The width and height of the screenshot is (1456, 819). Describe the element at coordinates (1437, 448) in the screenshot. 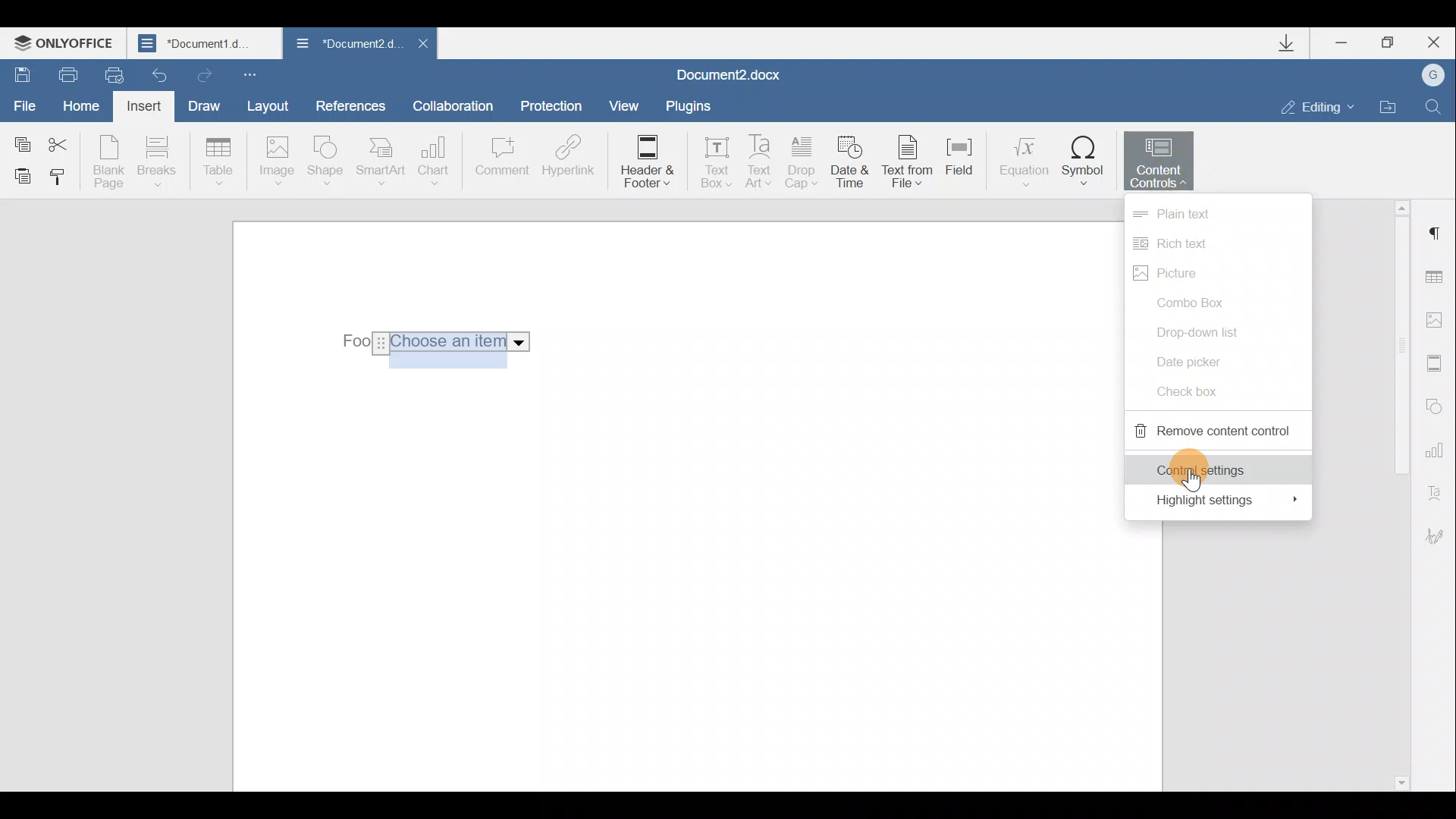

I see `Chart settings` at that location.